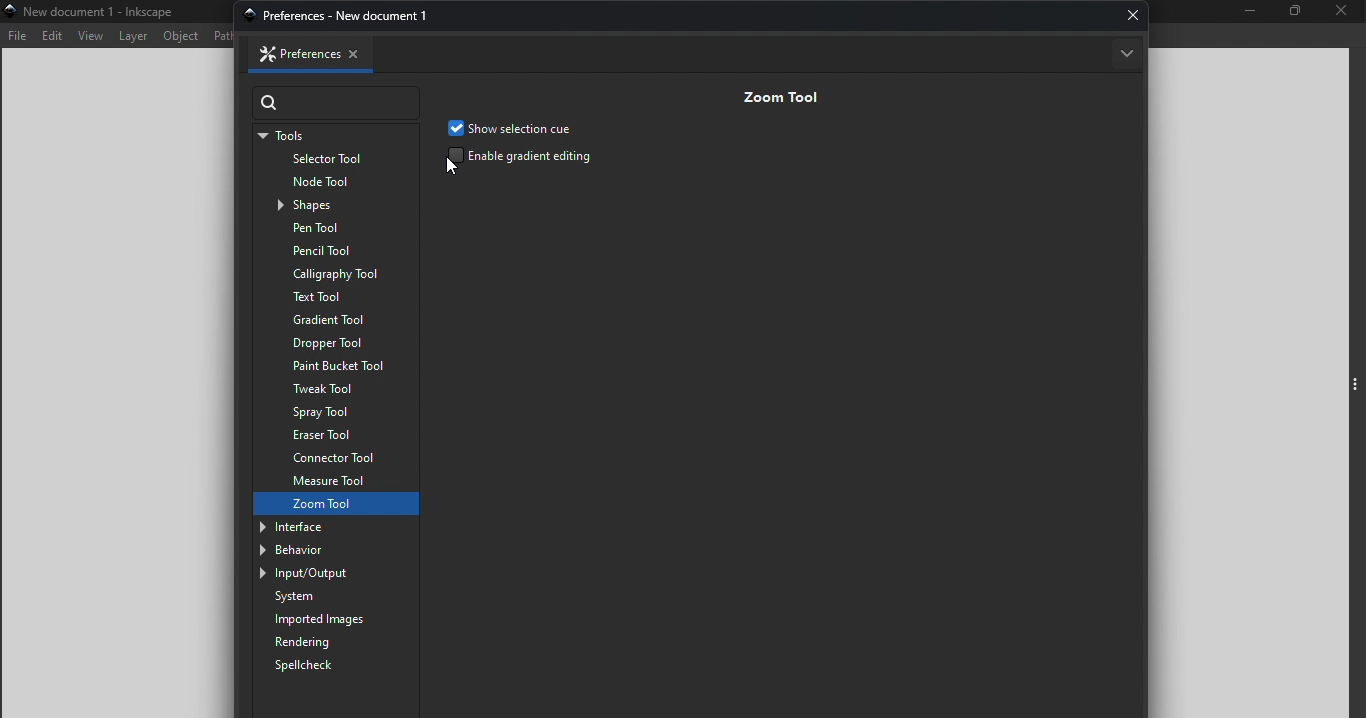  What do you see at coordinates (330, 274) in the screenshot?
I see `Calligraphy tool` at bounding box center [330, 274].